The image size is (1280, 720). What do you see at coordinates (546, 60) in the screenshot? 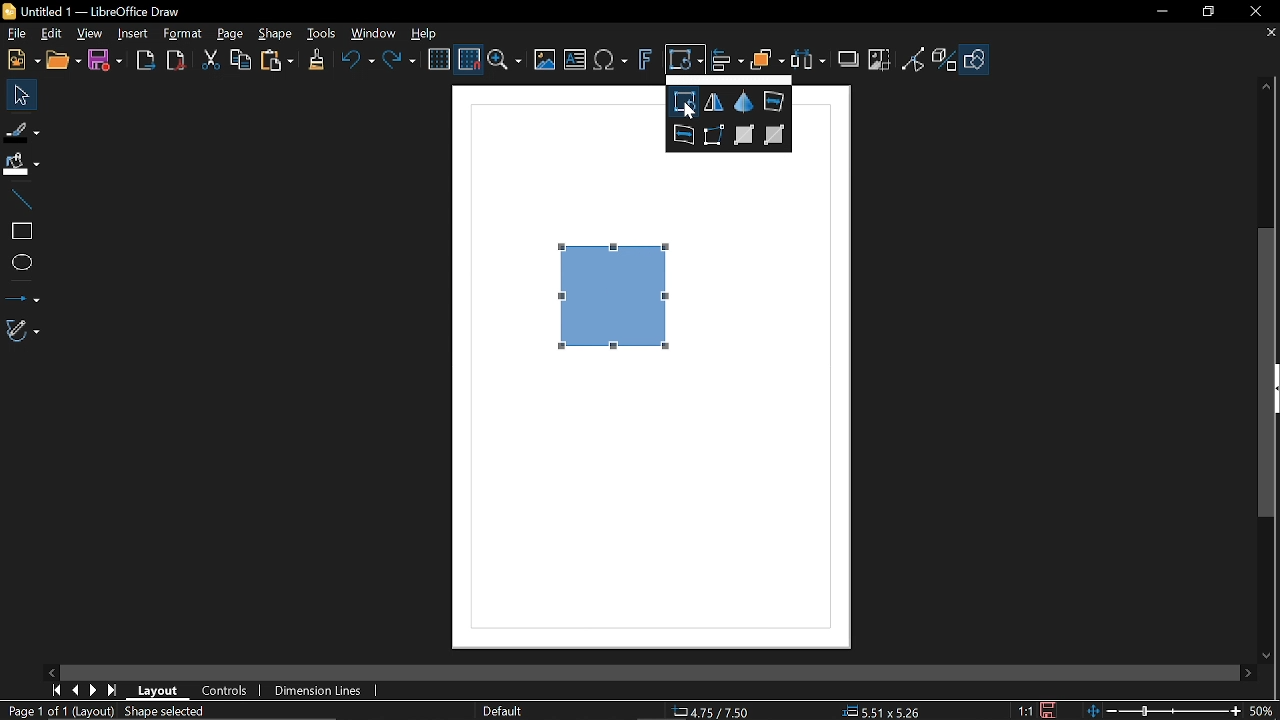
I see `Insert image` at bounding box center [546, 60].